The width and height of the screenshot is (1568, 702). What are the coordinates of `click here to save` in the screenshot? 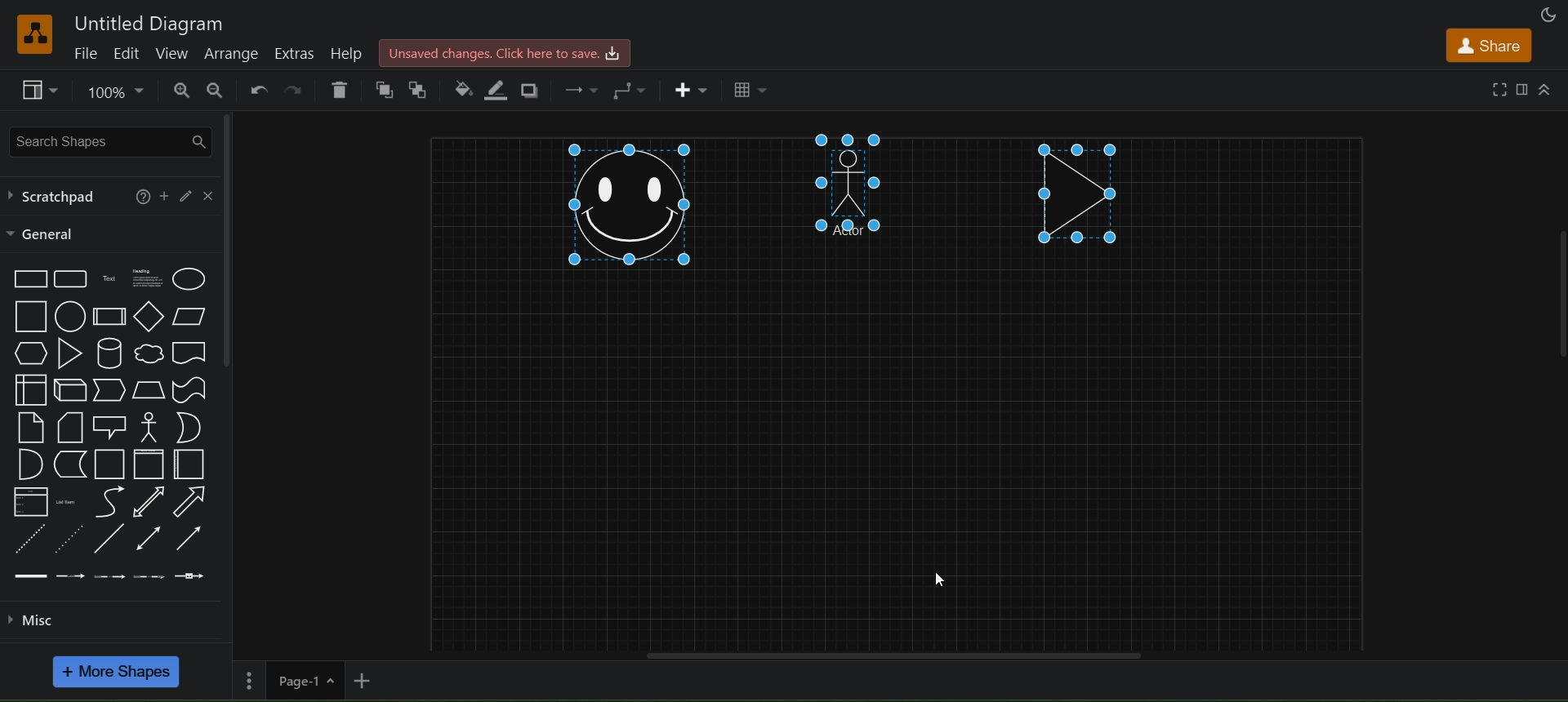 It's located at (502, 53).